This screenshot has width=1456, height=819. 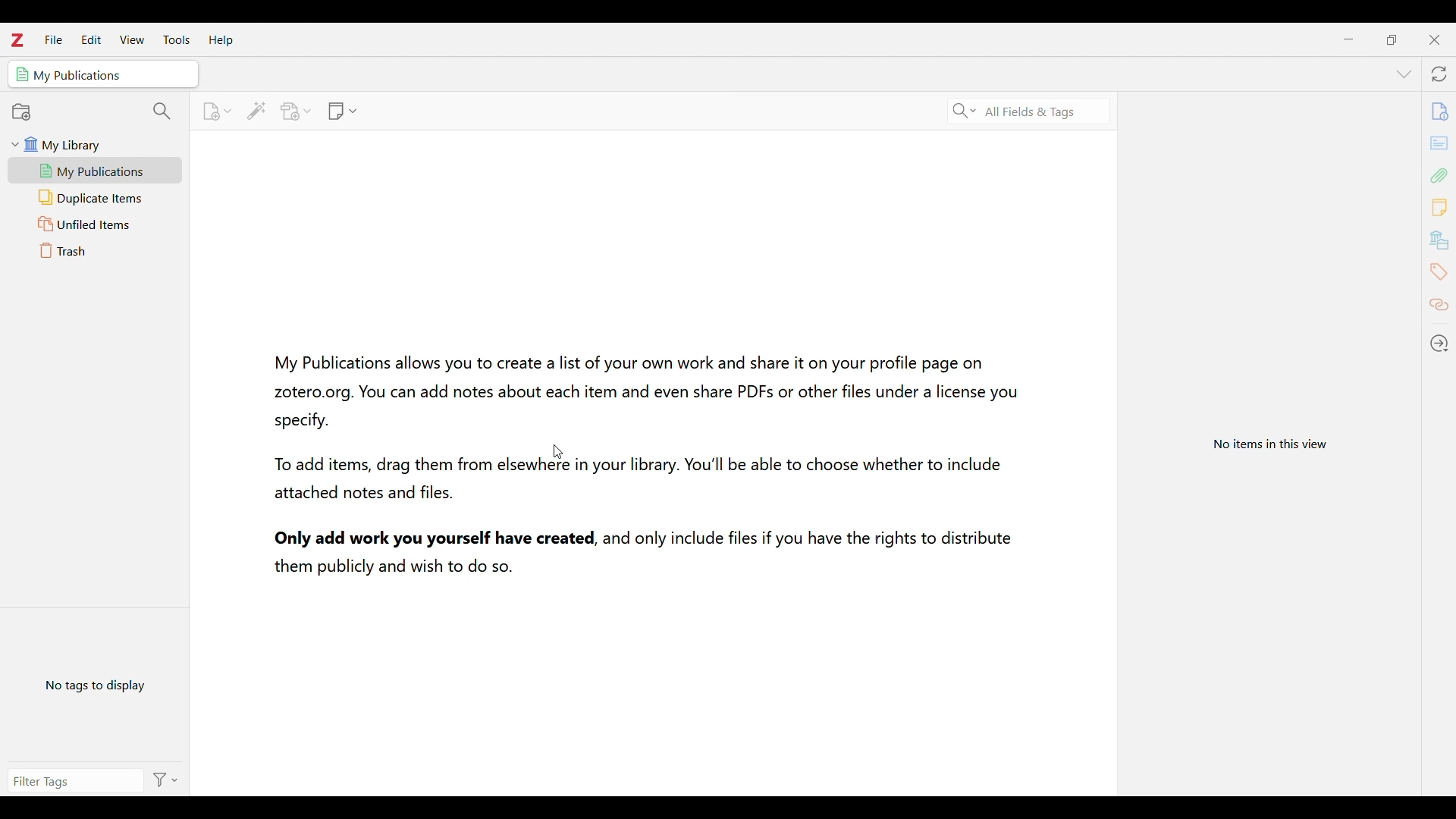 I want to click on Minimize, so click(x=1348, y=39).